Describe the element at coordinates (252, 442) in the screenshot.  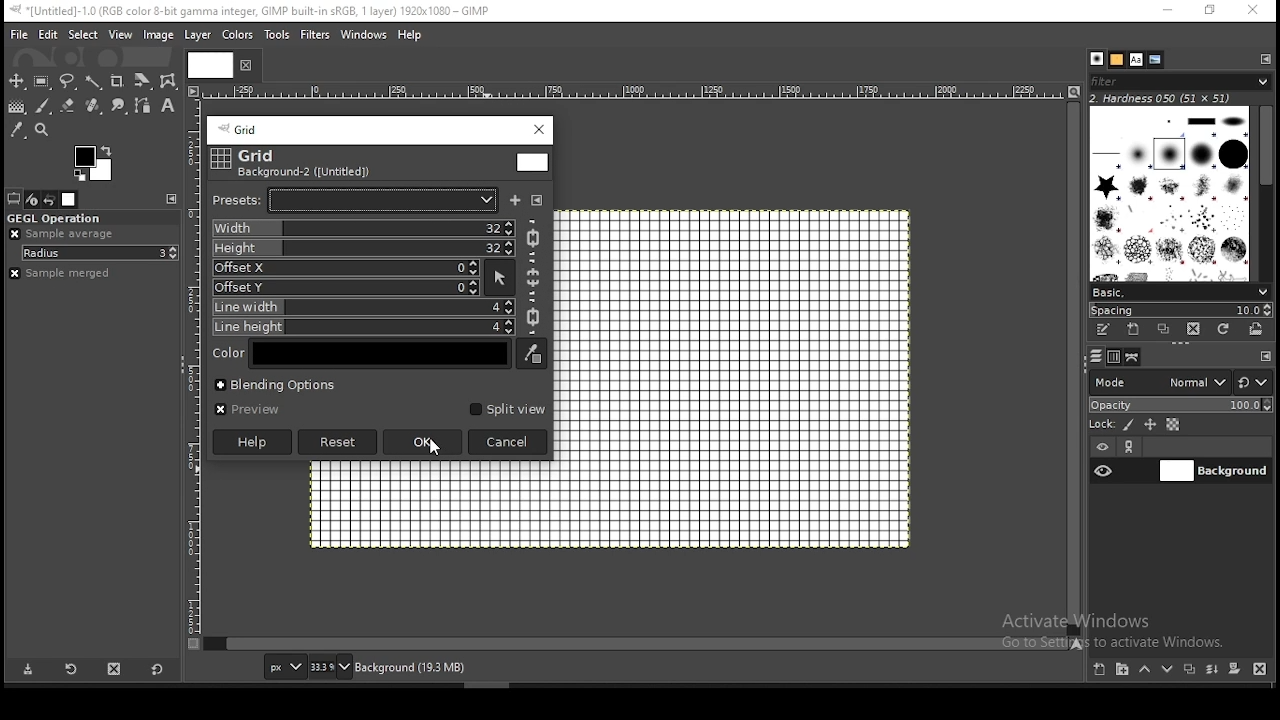
I see `help` at that location.